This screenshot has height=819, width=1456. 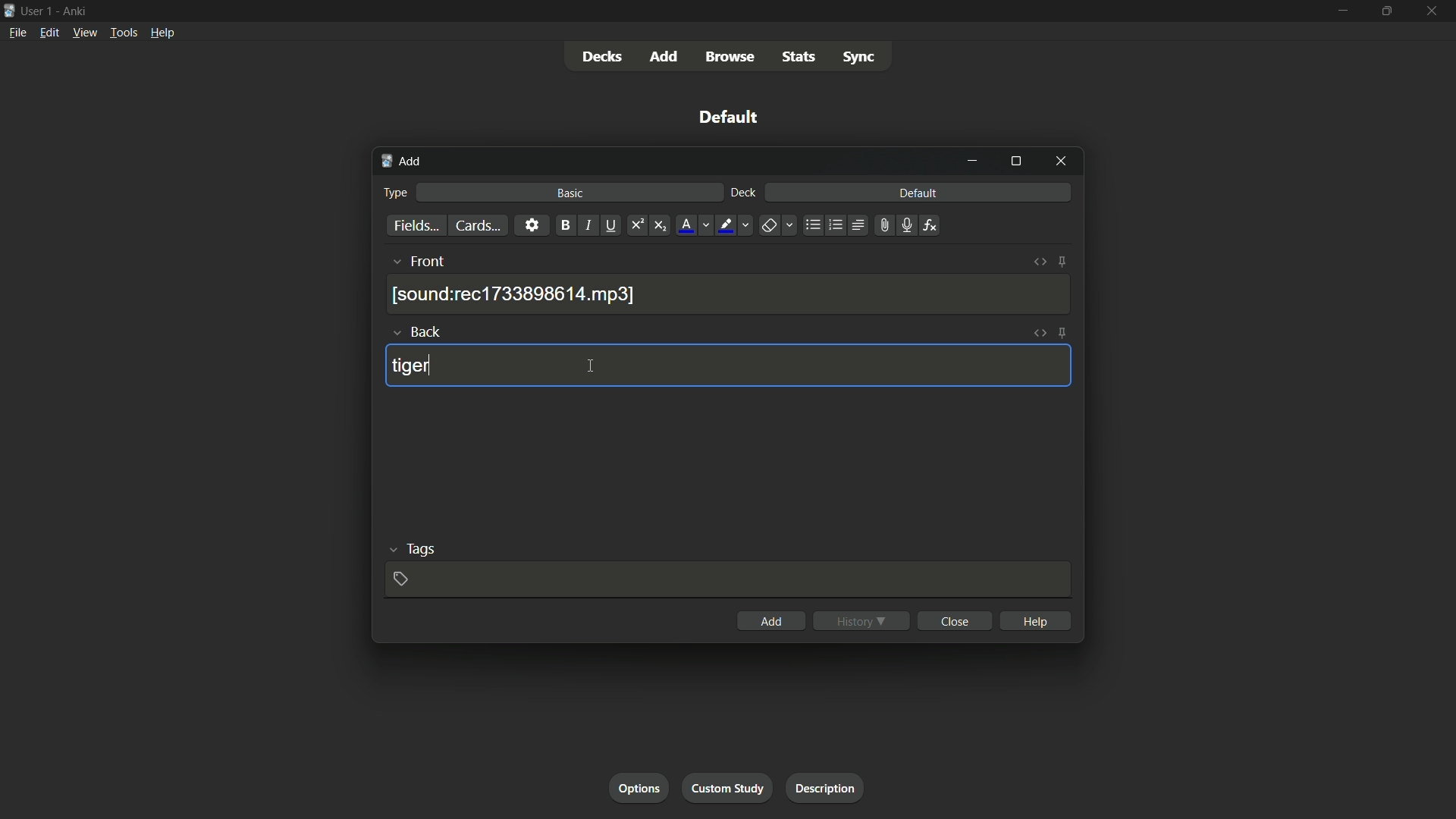 What do you see at coordinates (733, 57) in the screenshot?
I see `browse` at bounding box center [733, 57].